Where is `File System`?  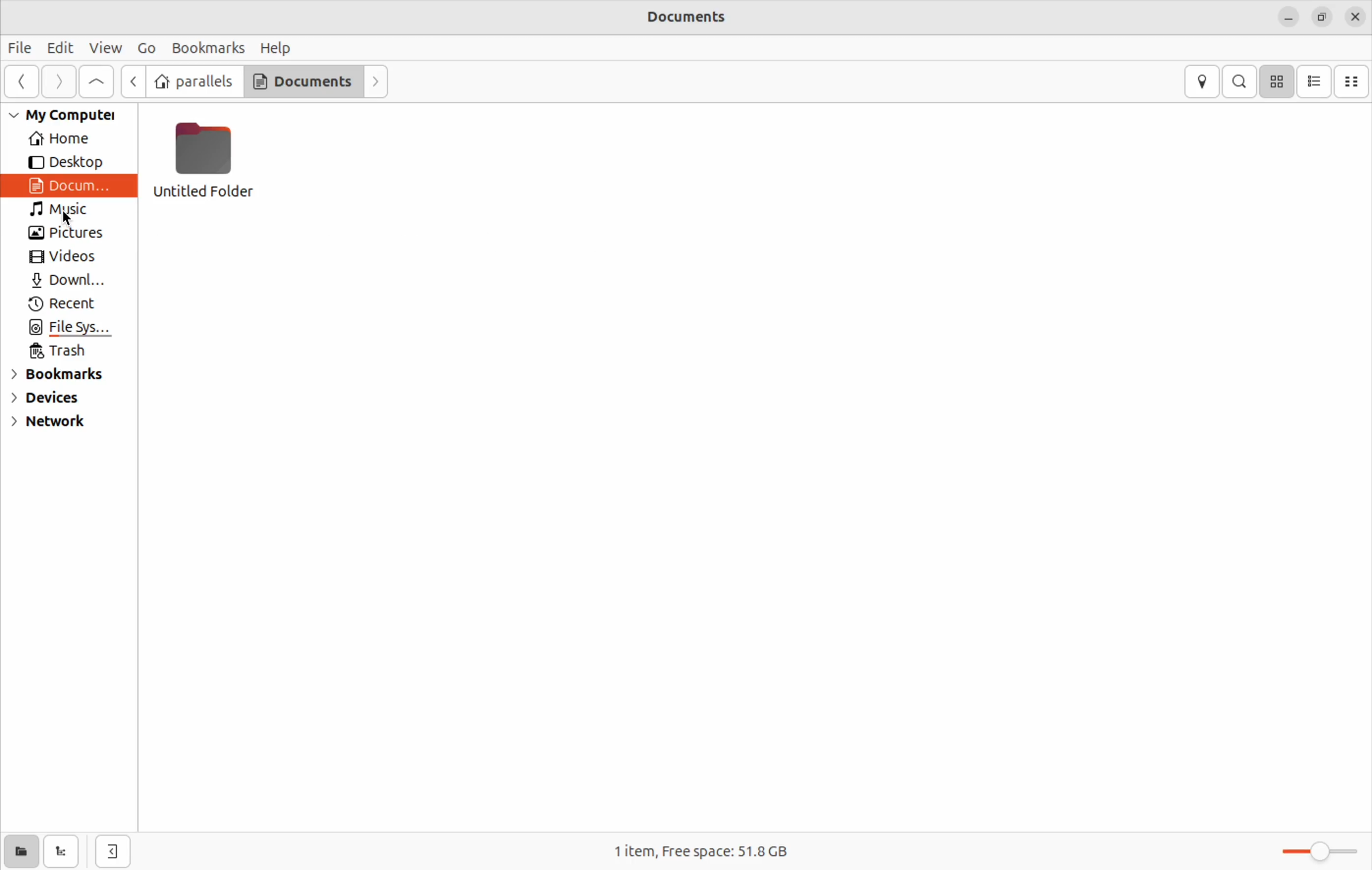
File System is located at coordinates (73, 328).